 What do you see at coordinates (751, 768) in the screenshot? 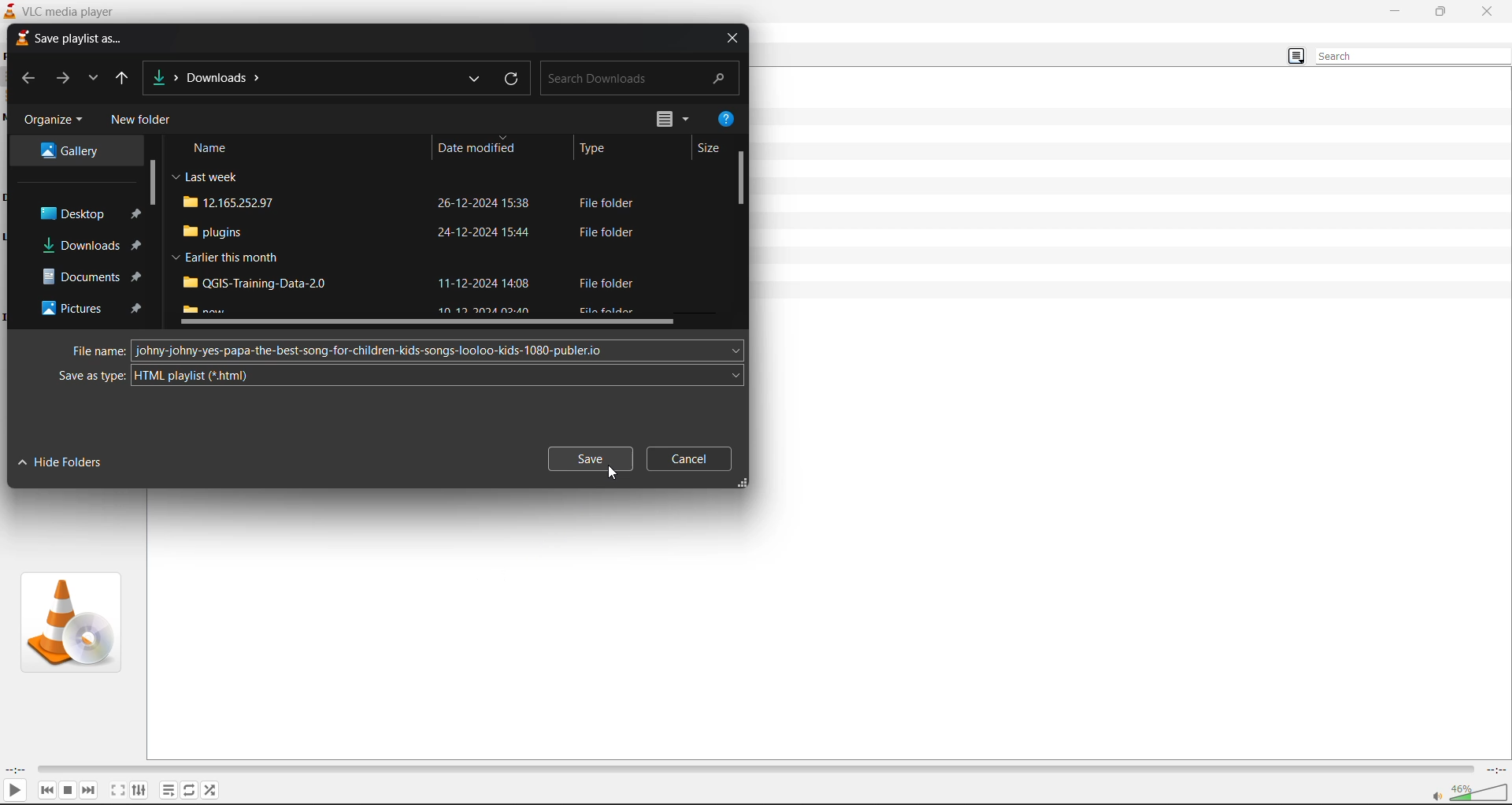
I see `track slider` at bounding box center [751, 768].